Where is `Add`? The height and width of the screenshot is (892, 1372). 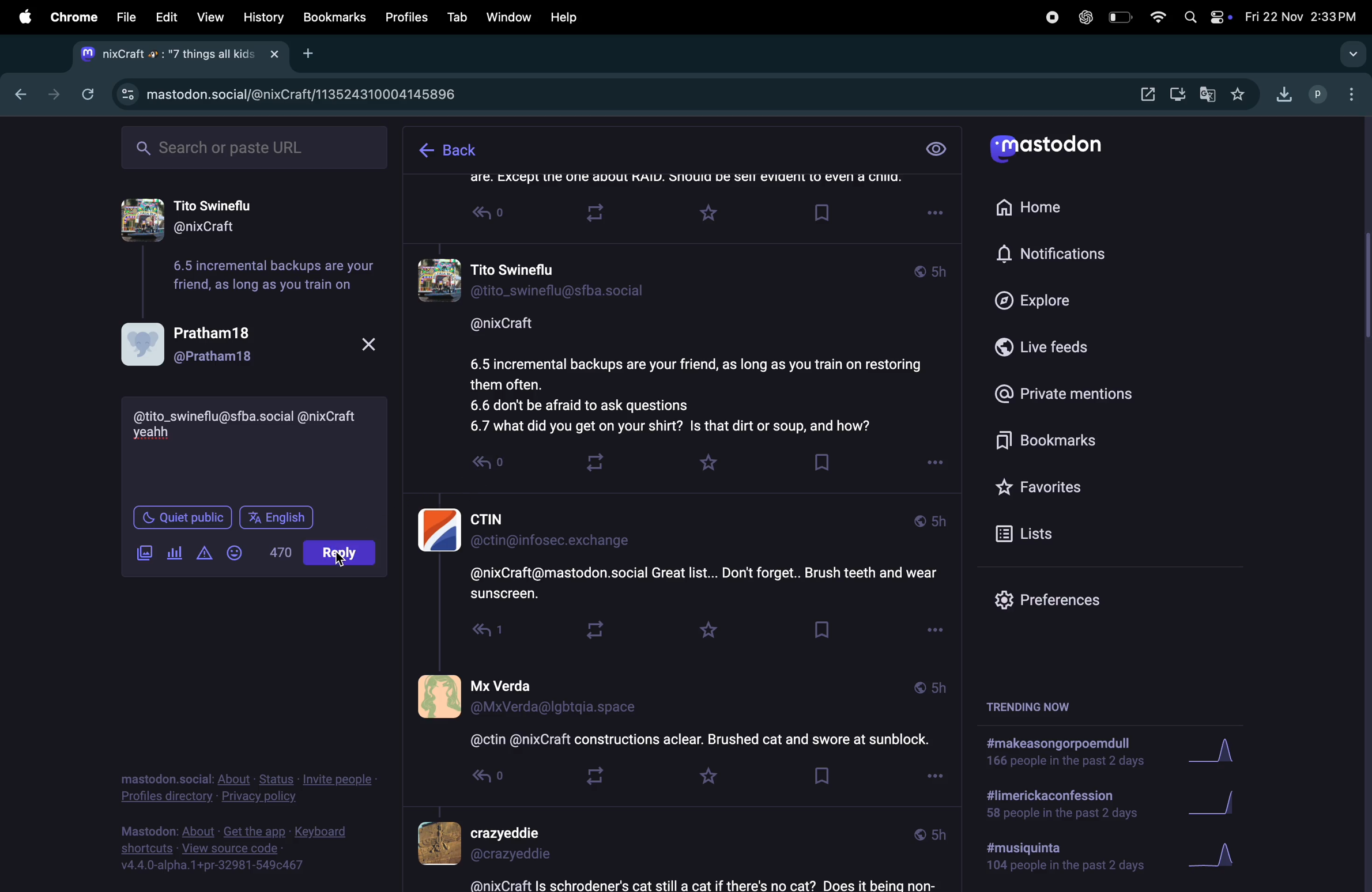 Add is located at coordinates (314, 53).